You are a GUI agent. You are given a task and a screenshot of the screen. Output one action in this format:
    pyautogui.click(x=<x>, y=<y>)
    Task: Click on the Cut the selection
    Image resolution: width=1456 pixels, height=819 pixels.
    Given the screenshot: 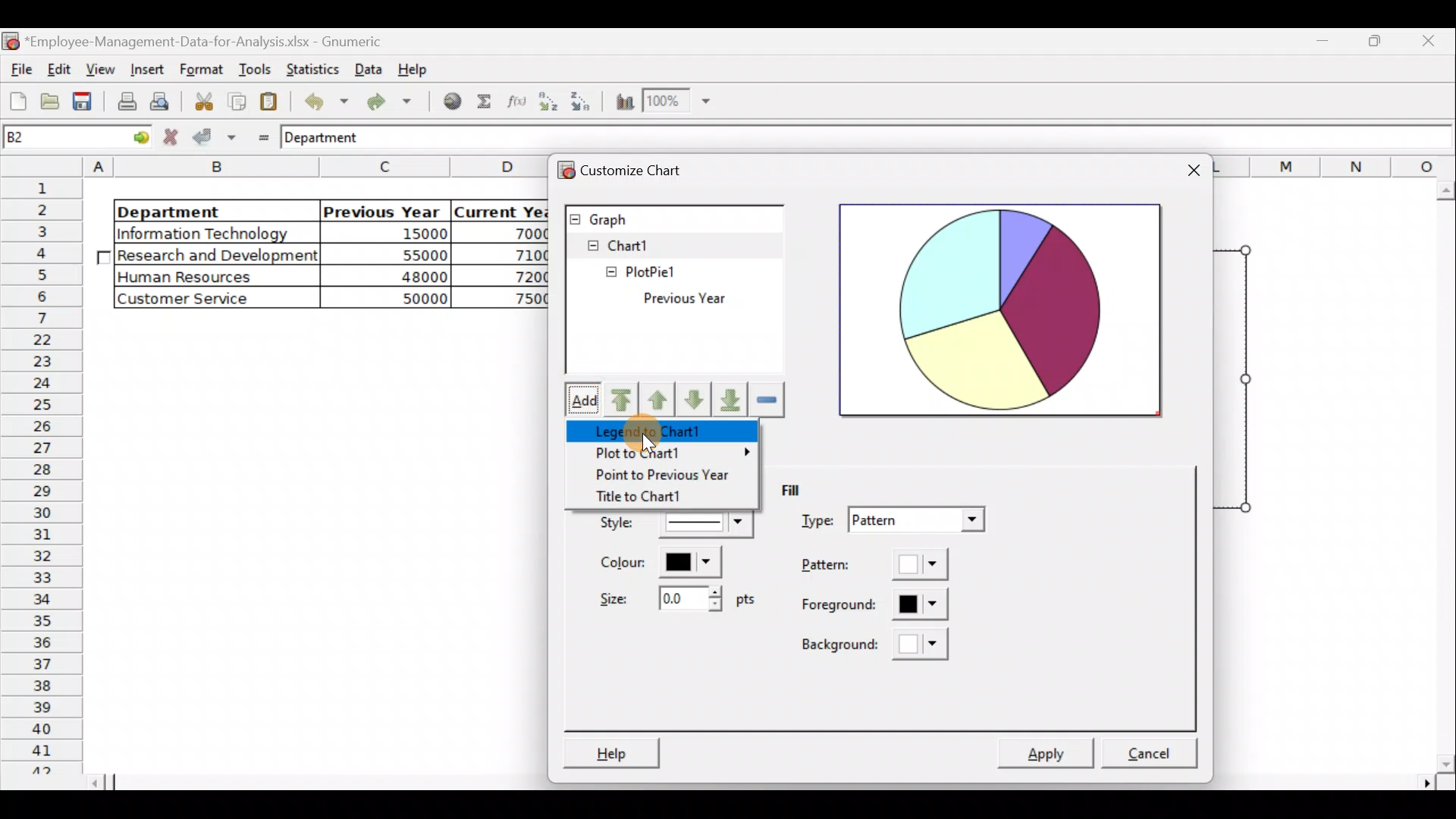 What is the action you would take?
    pyautogui.click(x=203, y=99)
    